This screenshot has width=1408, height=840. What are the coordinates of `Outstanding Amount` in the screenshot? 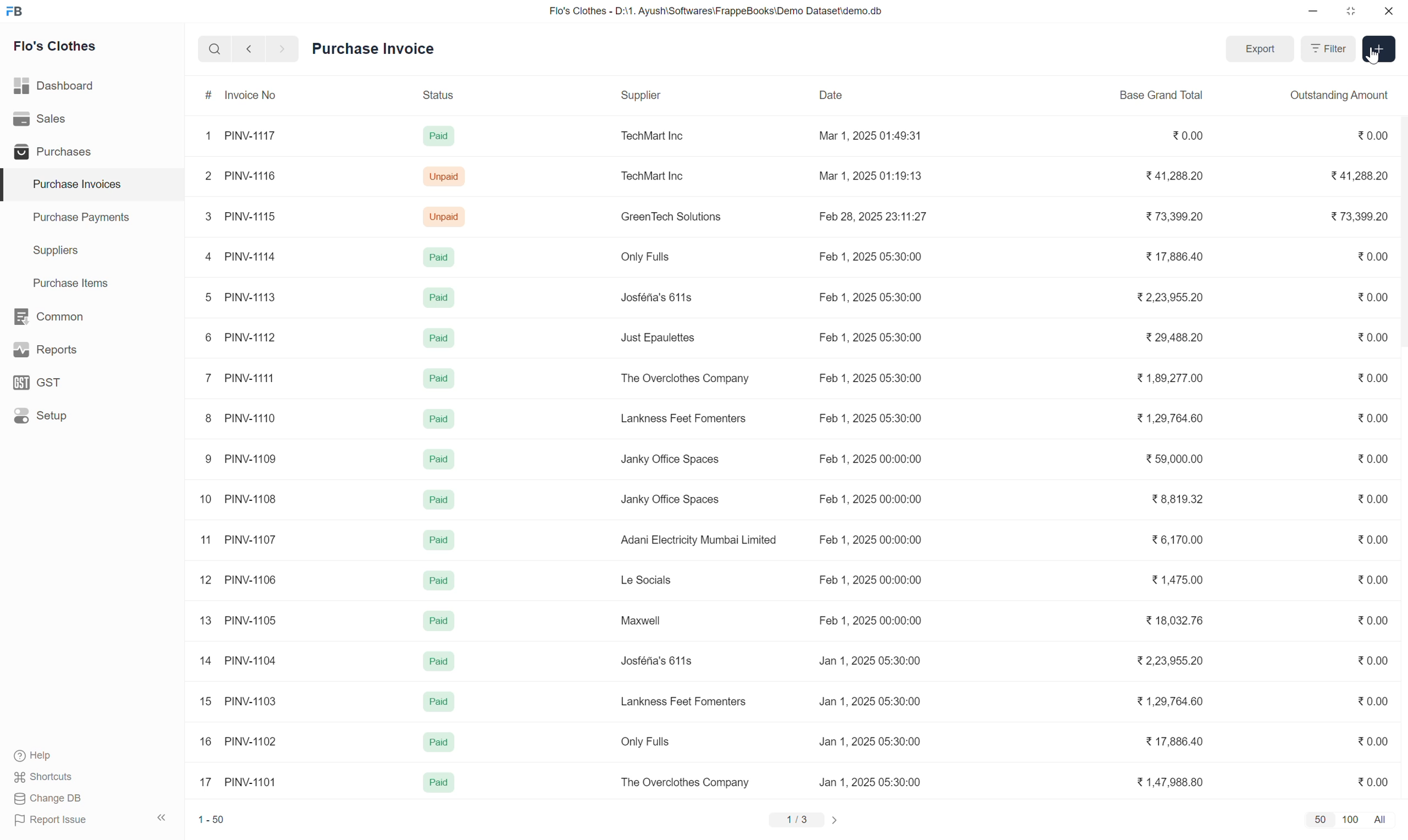 It's located at (1337, 96).